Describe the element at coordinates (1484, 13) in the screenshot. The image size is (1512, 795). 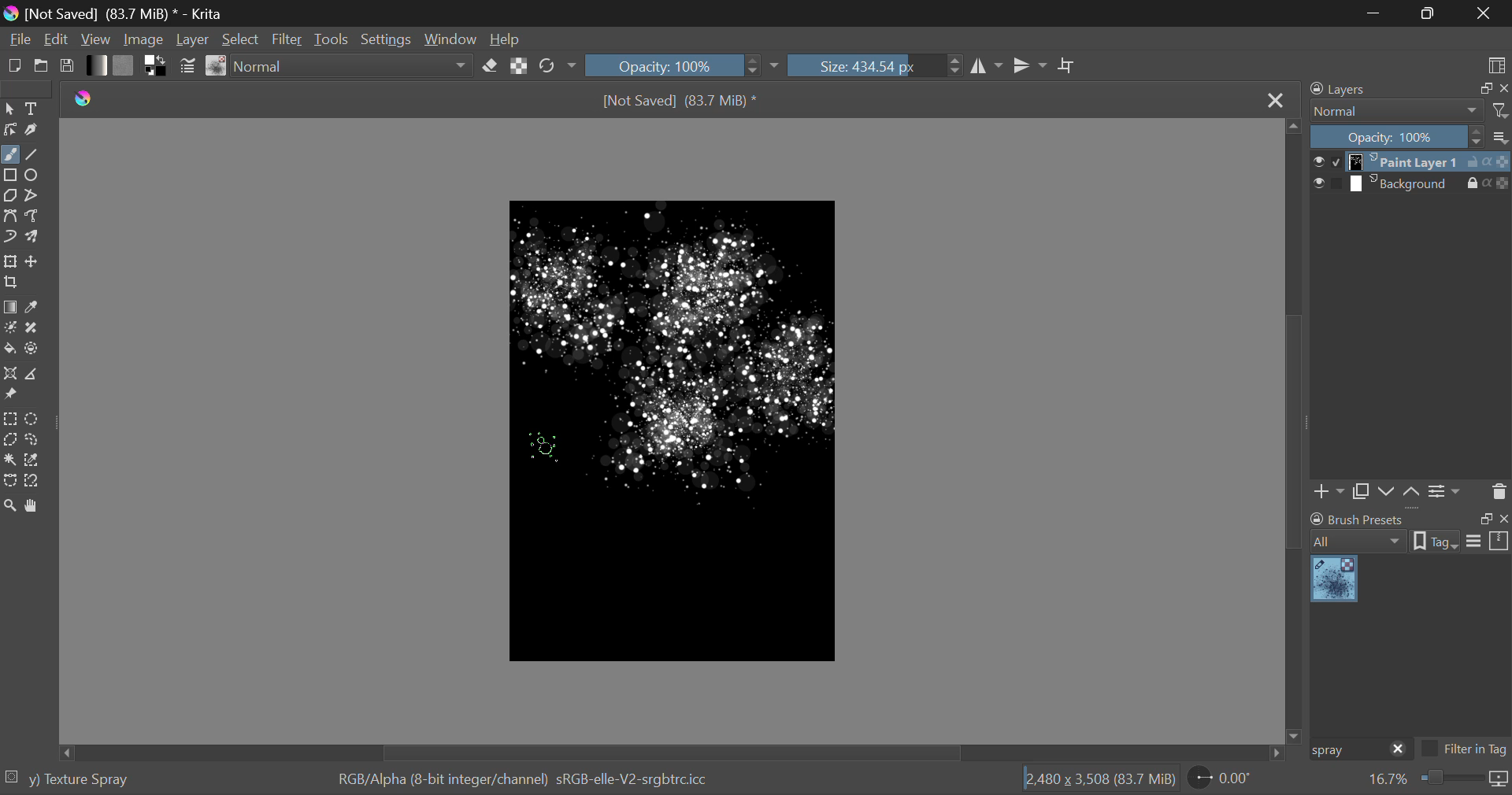
I see `Close` at that location.